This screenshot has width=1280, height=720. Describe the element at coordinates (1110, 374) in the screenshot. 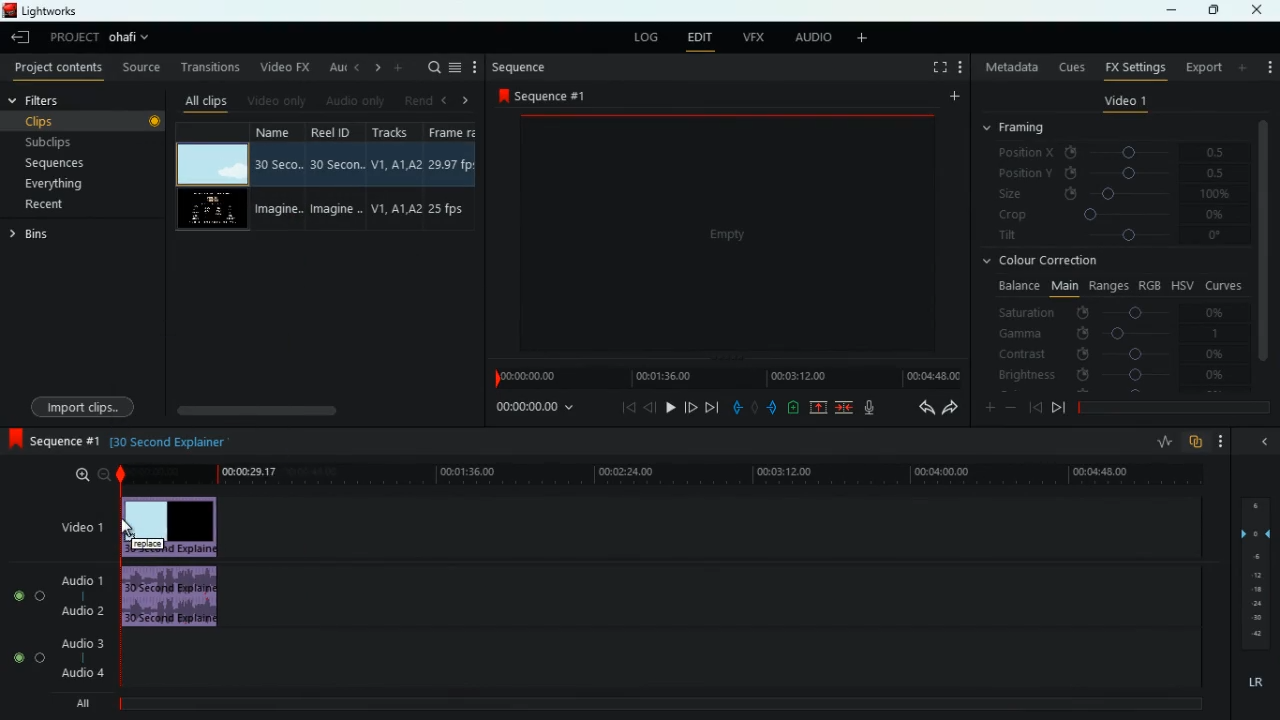

I see `brightness` at that location.